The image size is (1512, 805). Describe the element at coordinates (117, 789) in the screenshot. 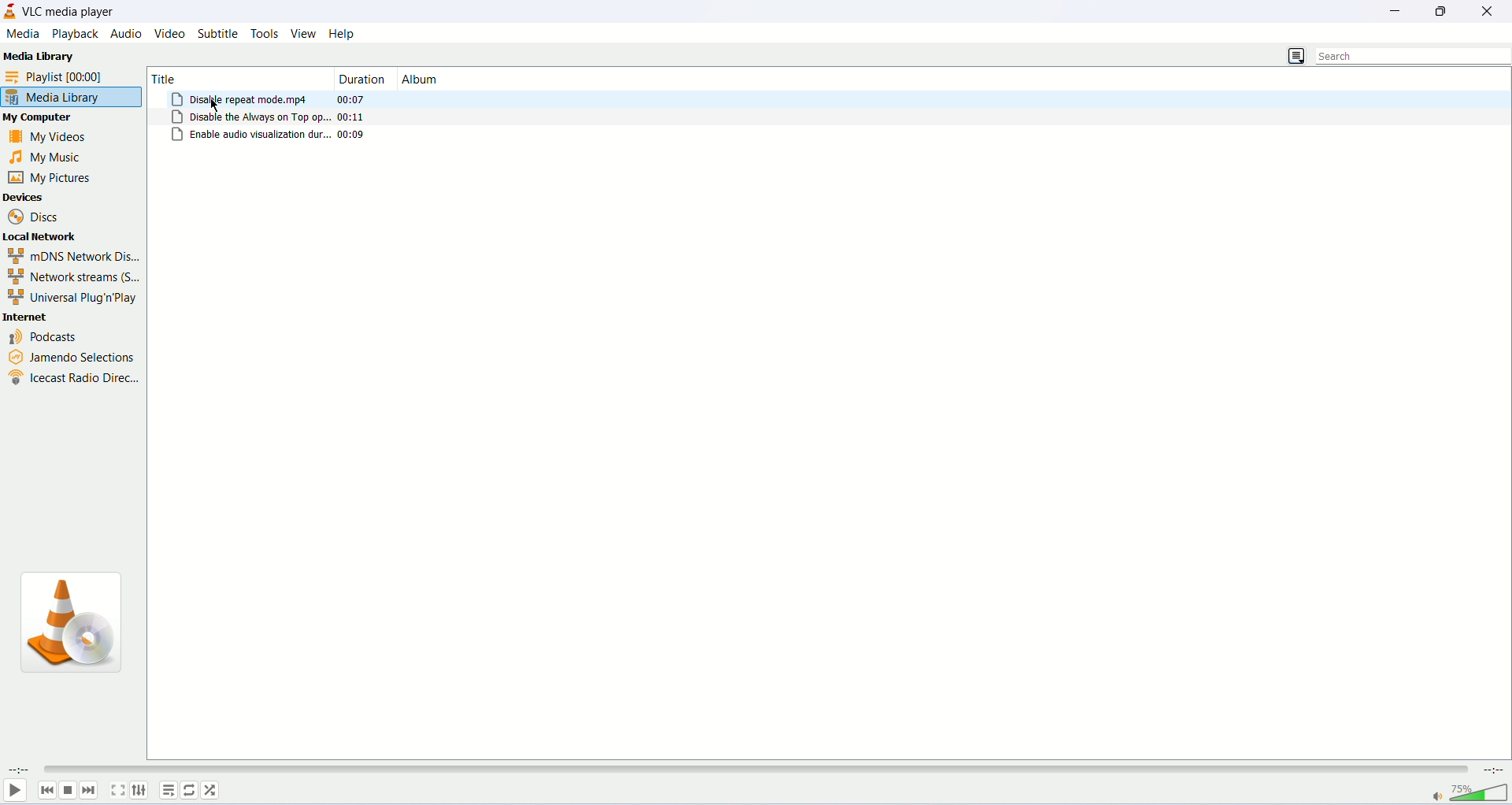

I see `fullscreen` at that location.